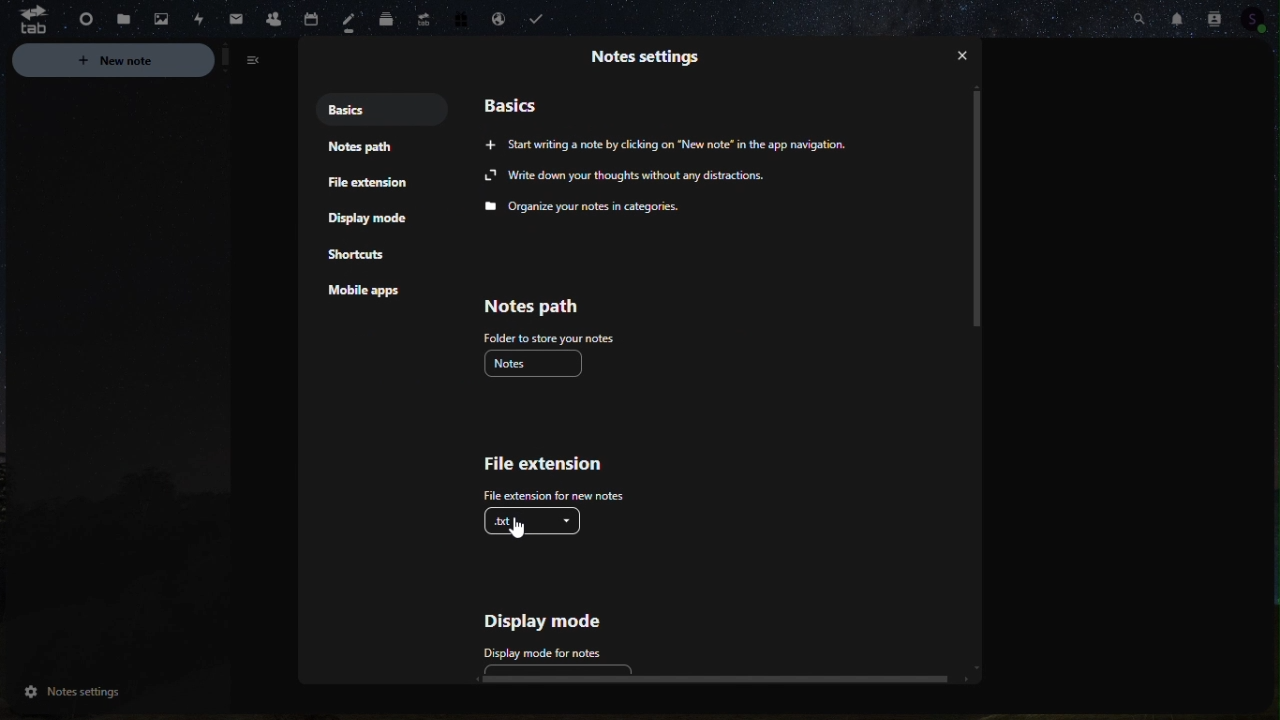 This screenshot has width=1280, height=720. Describe the element at coordinates (375, 293) in the screenshot. I see `Mobile app` at that location.